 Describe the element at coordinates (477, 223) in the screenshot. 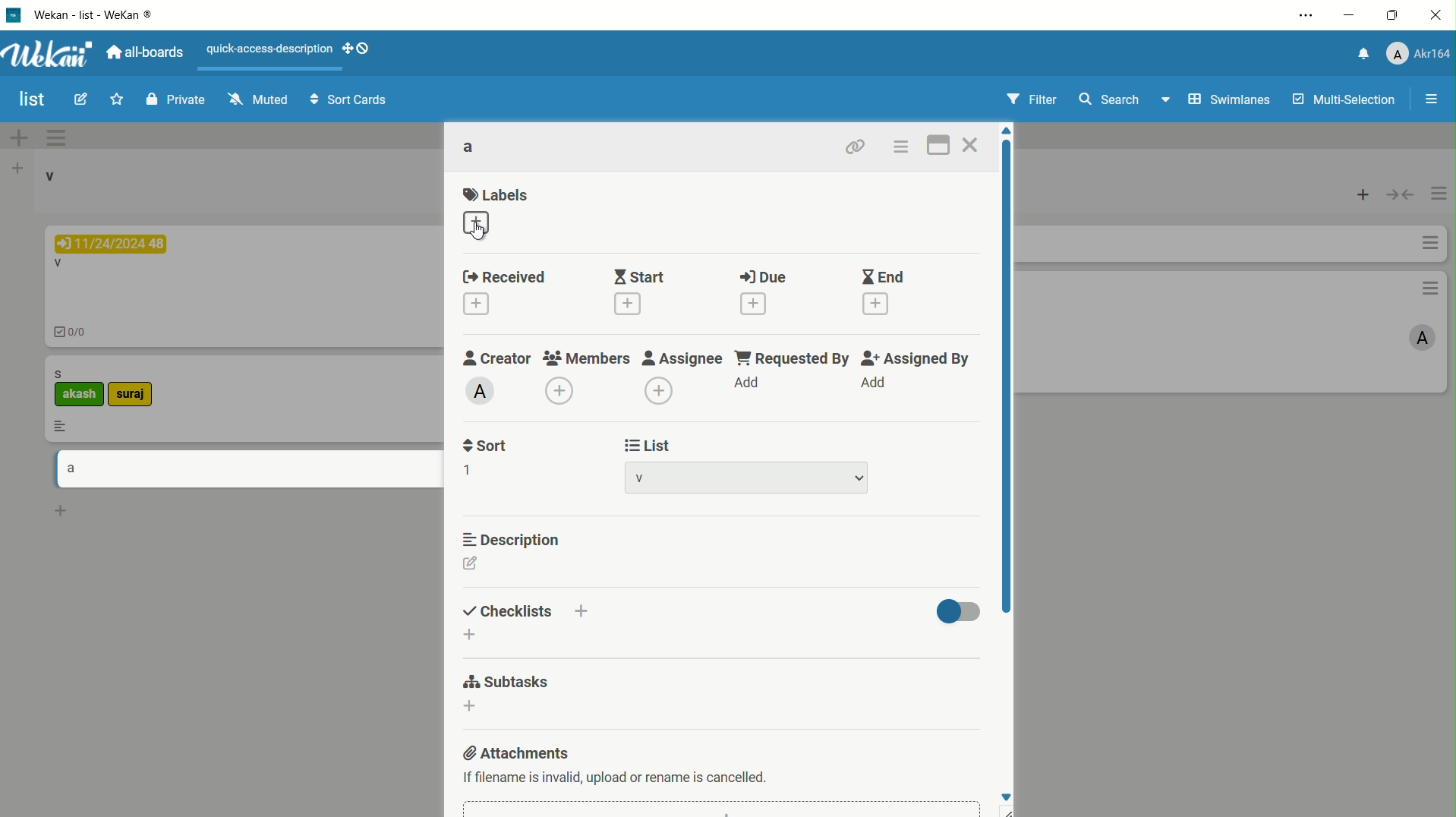

I see `add label` at that location.